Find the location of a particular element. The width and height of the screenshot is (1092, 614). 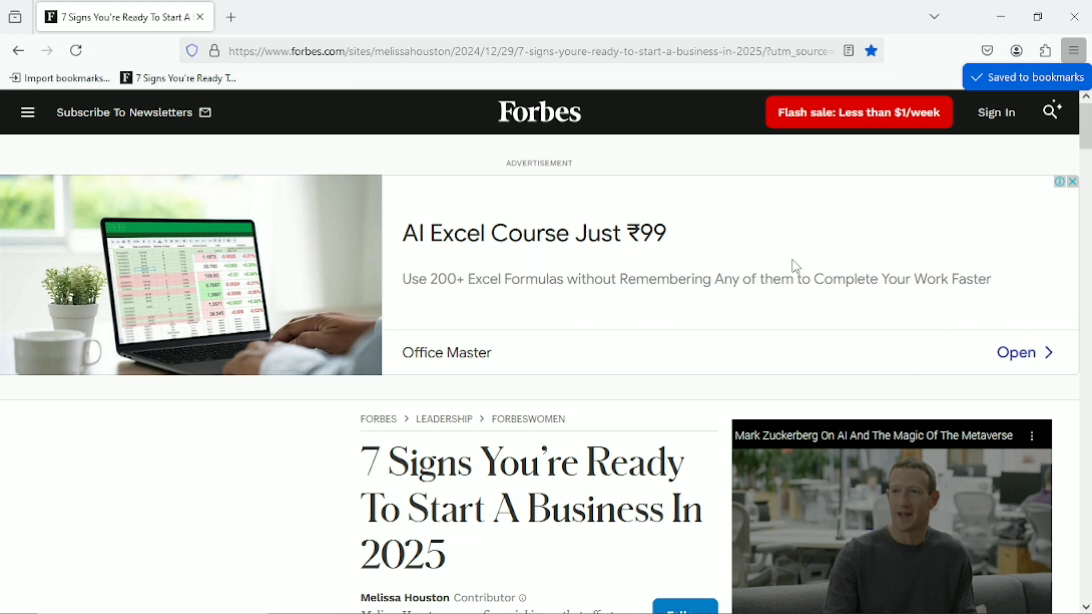

Go back is located at coordinates (17, 50).